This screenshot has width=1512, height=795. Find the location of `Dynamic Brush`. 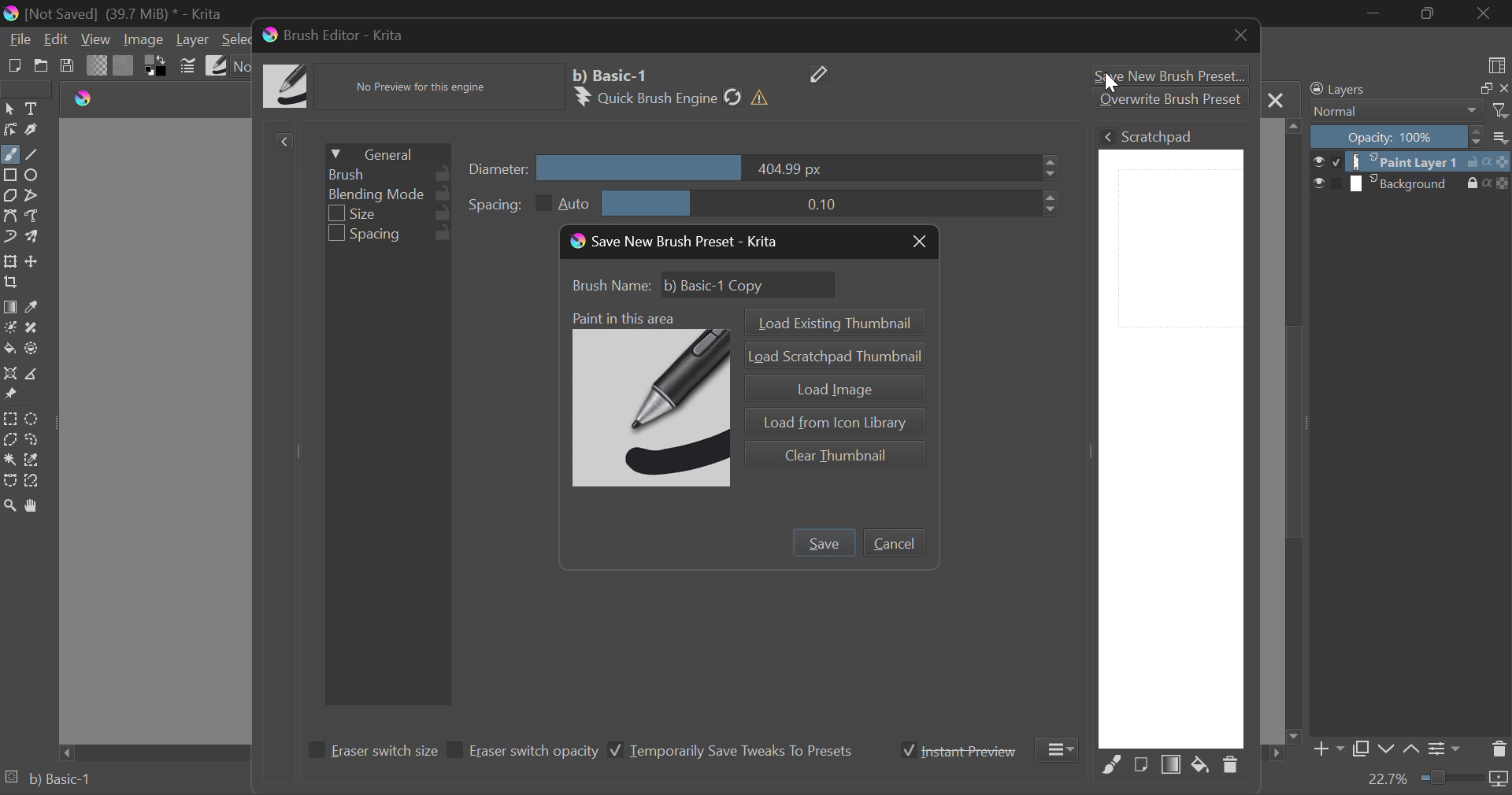

Dynamic Brush is located at coordinates (9, 237).